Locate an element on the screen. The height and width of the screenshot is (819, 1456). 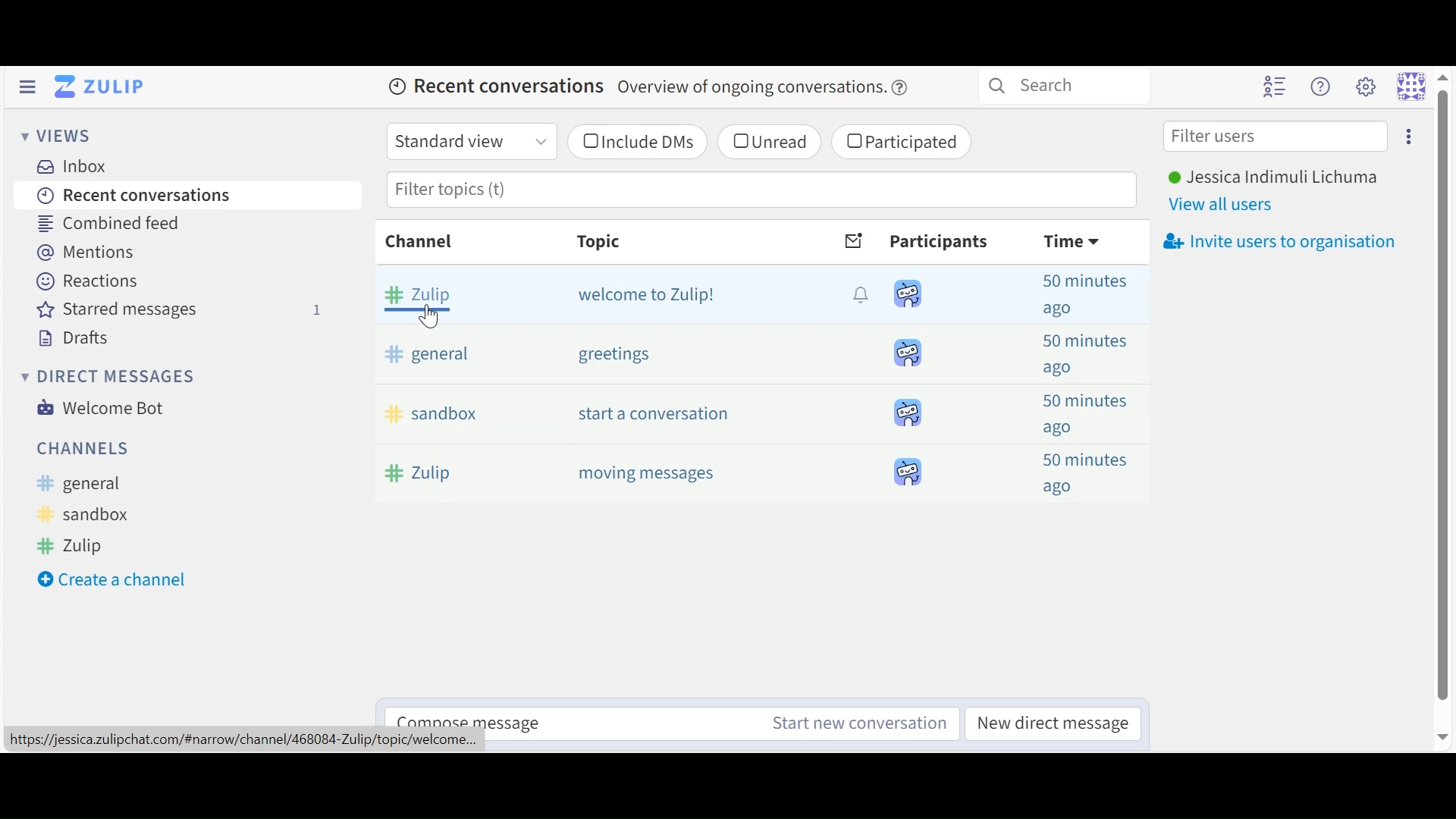
scroll bar is located at coordinates (1447, 401).